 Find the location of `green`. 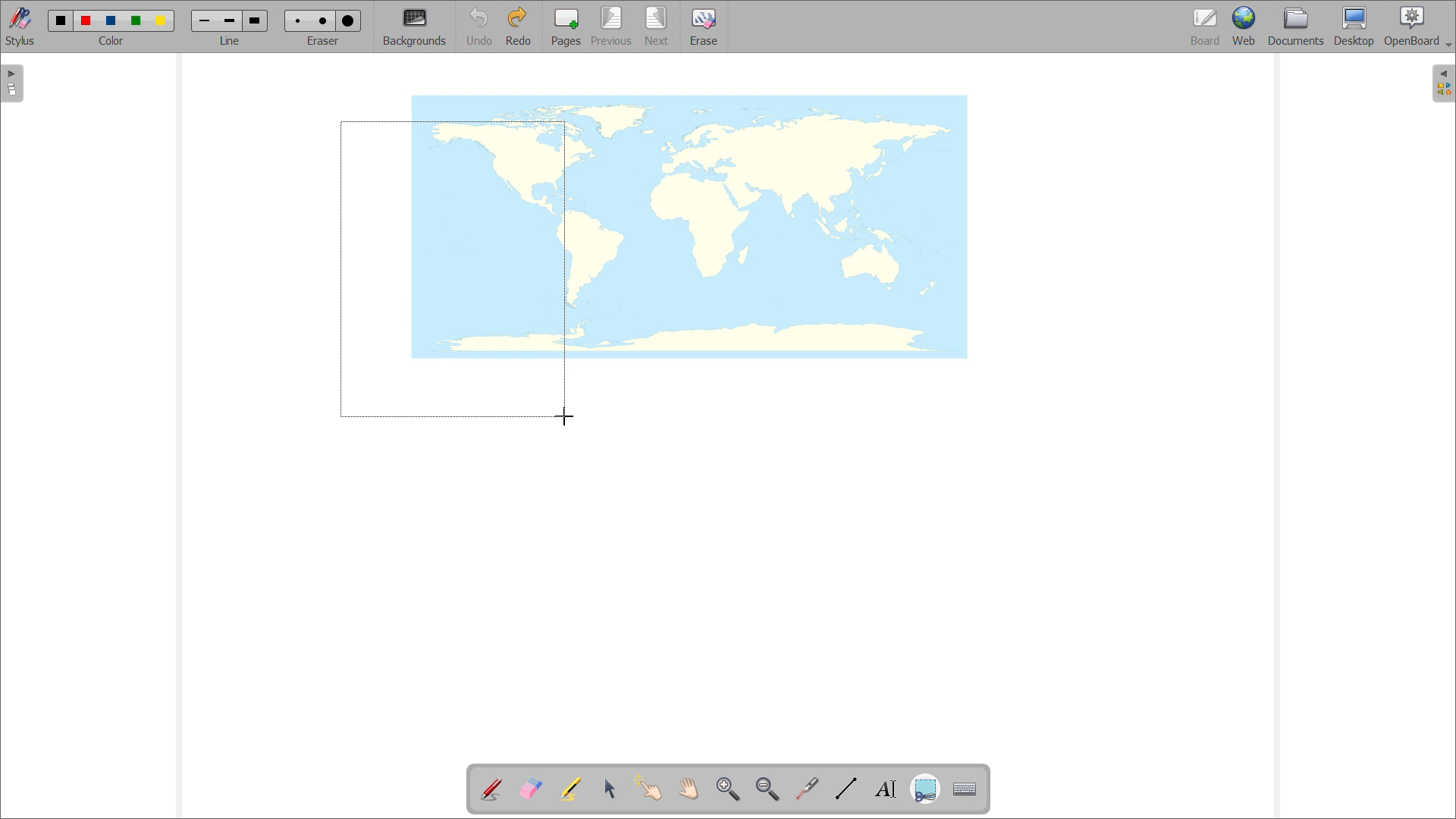

green is located at coordinates (136, 20).